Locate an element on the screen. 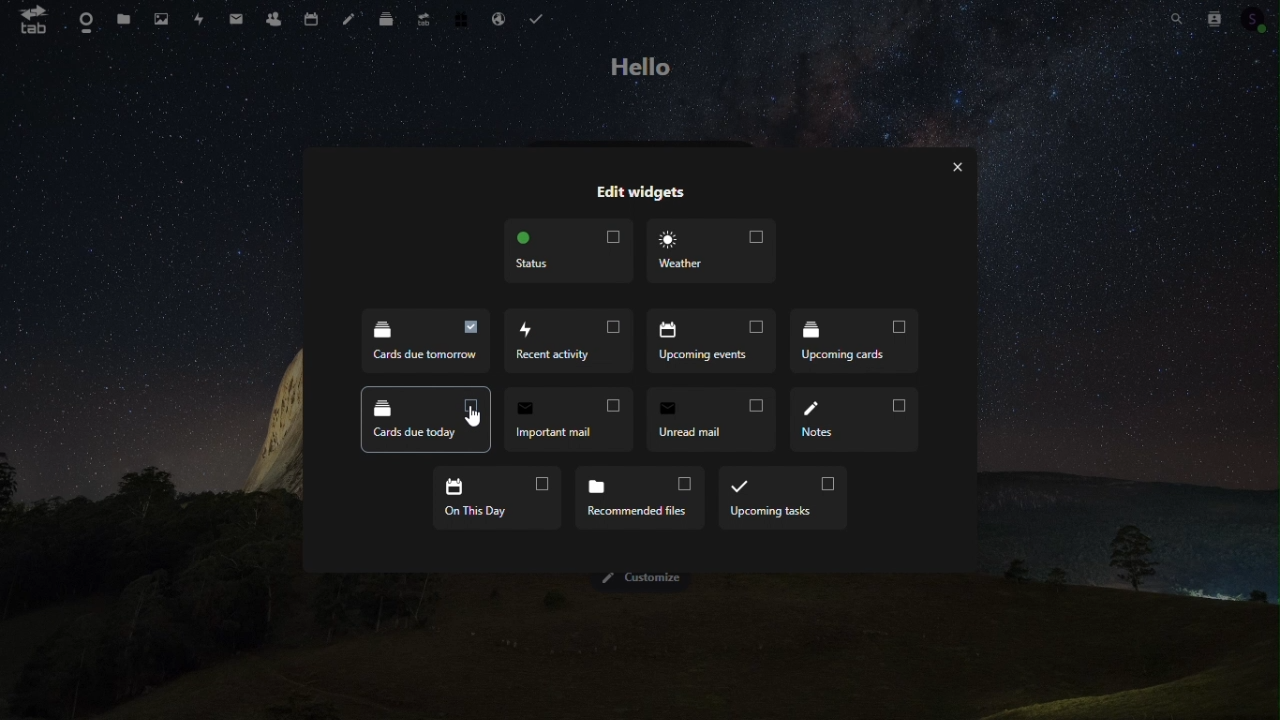 This screenshot has width=1280, height=720. Free trial is located at coordinates (460, 17).